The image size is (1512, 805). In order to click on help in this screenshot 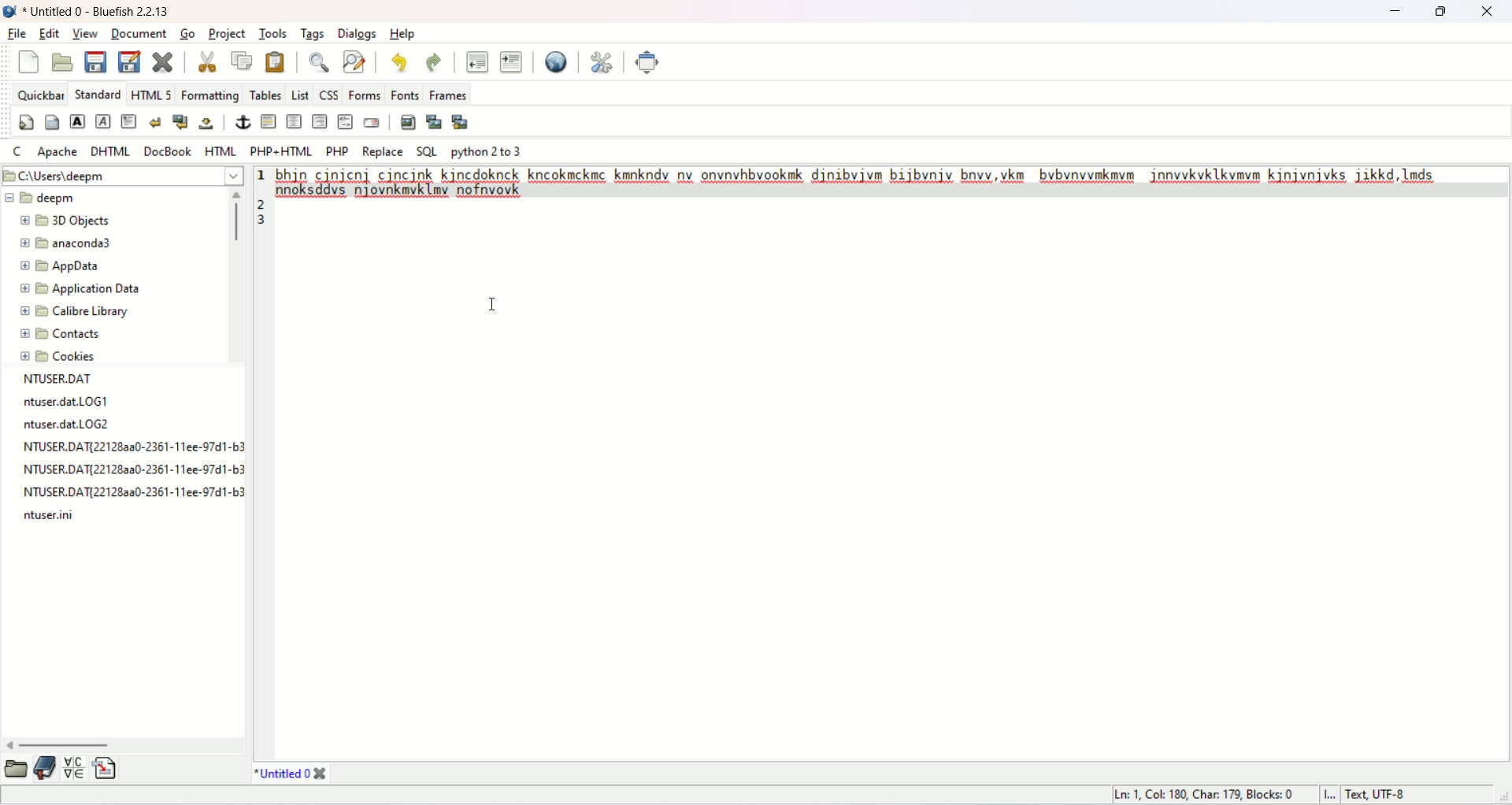, I will do `click(406, 35)`.